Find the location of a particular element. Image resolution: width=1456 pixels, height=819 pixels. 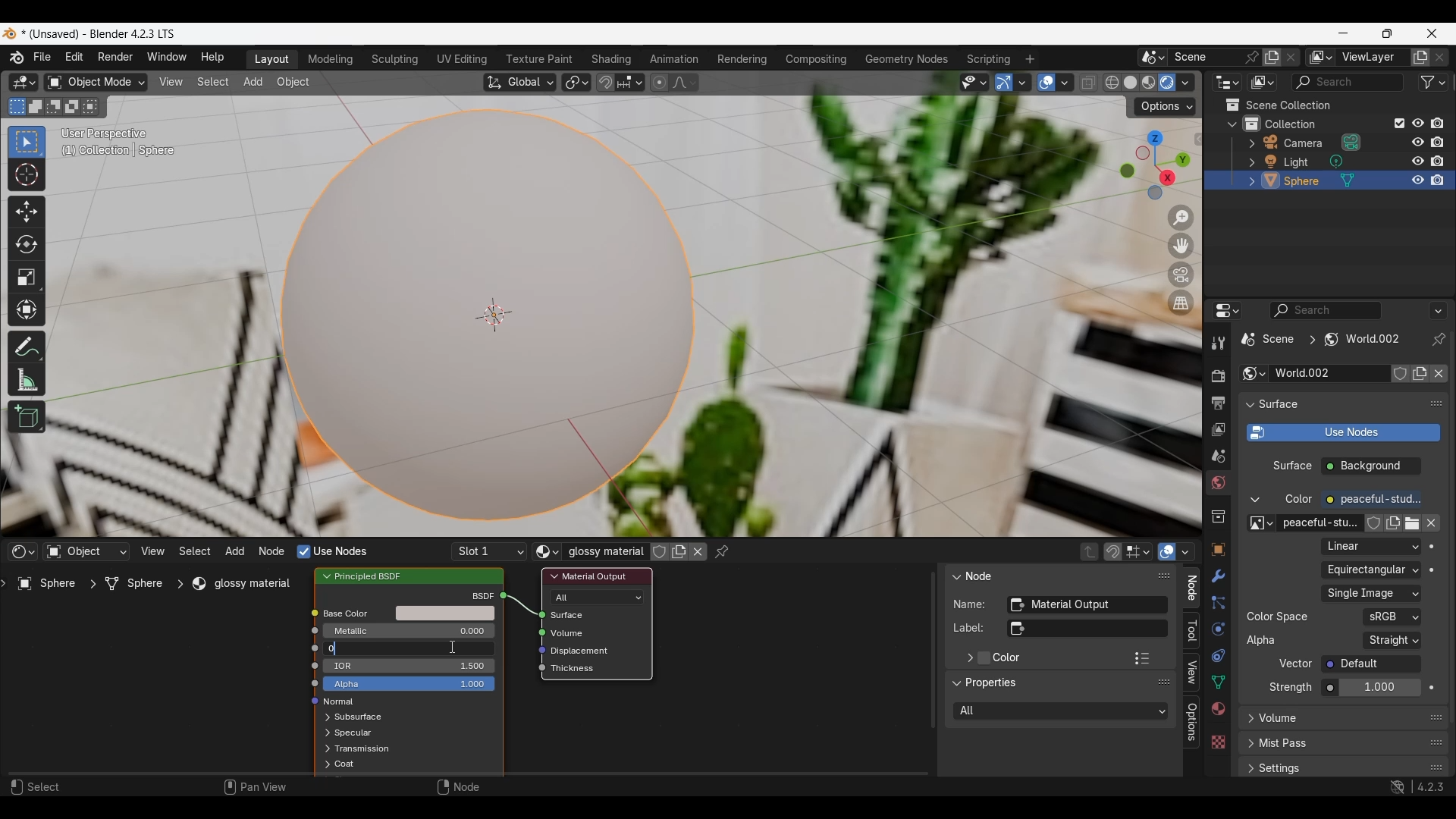

Compositing workspace is located at coordinates (815, 59).